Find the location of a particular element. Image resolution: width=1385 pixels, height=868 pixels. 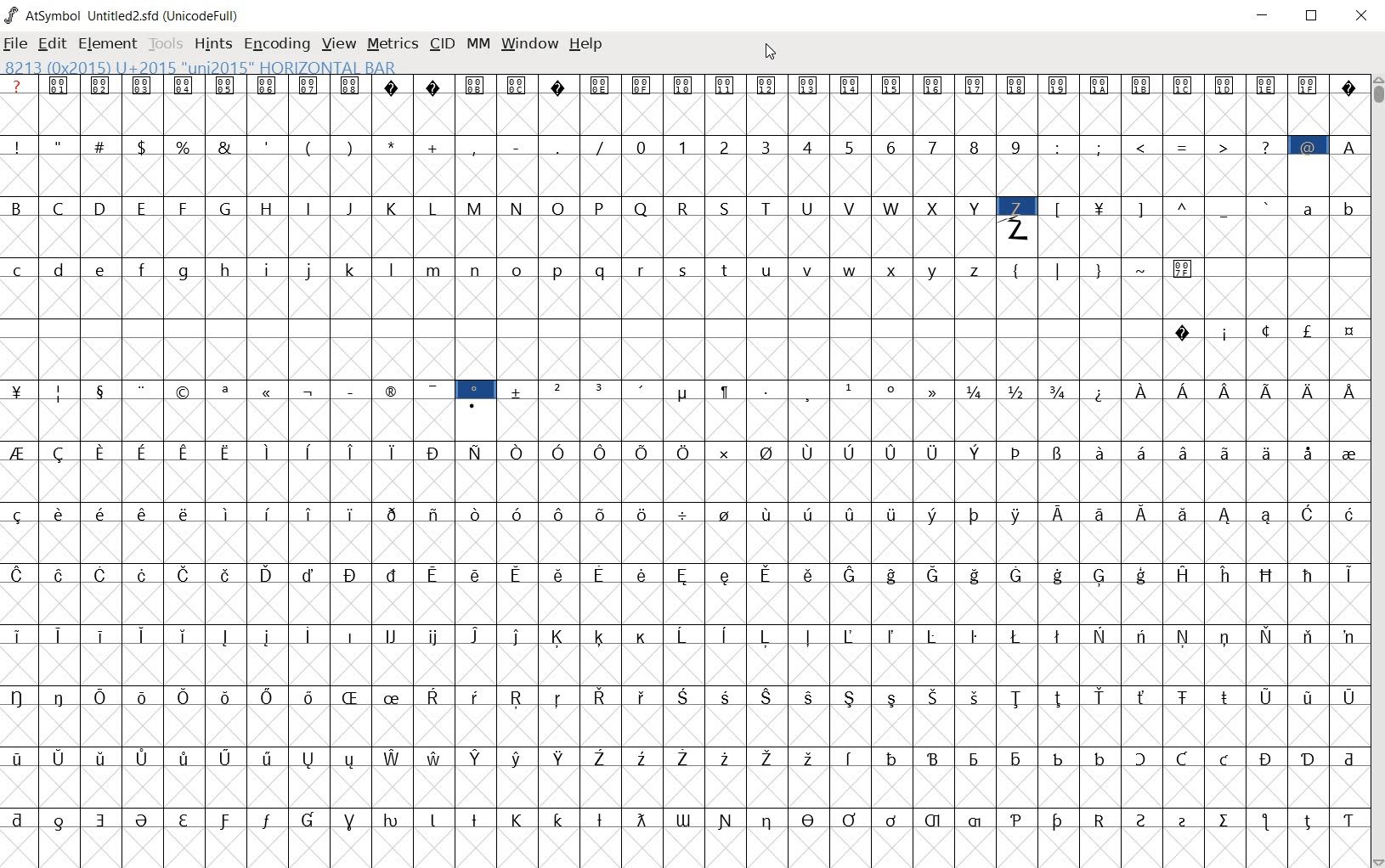

TOOLS is located at coordinates (168, 45).